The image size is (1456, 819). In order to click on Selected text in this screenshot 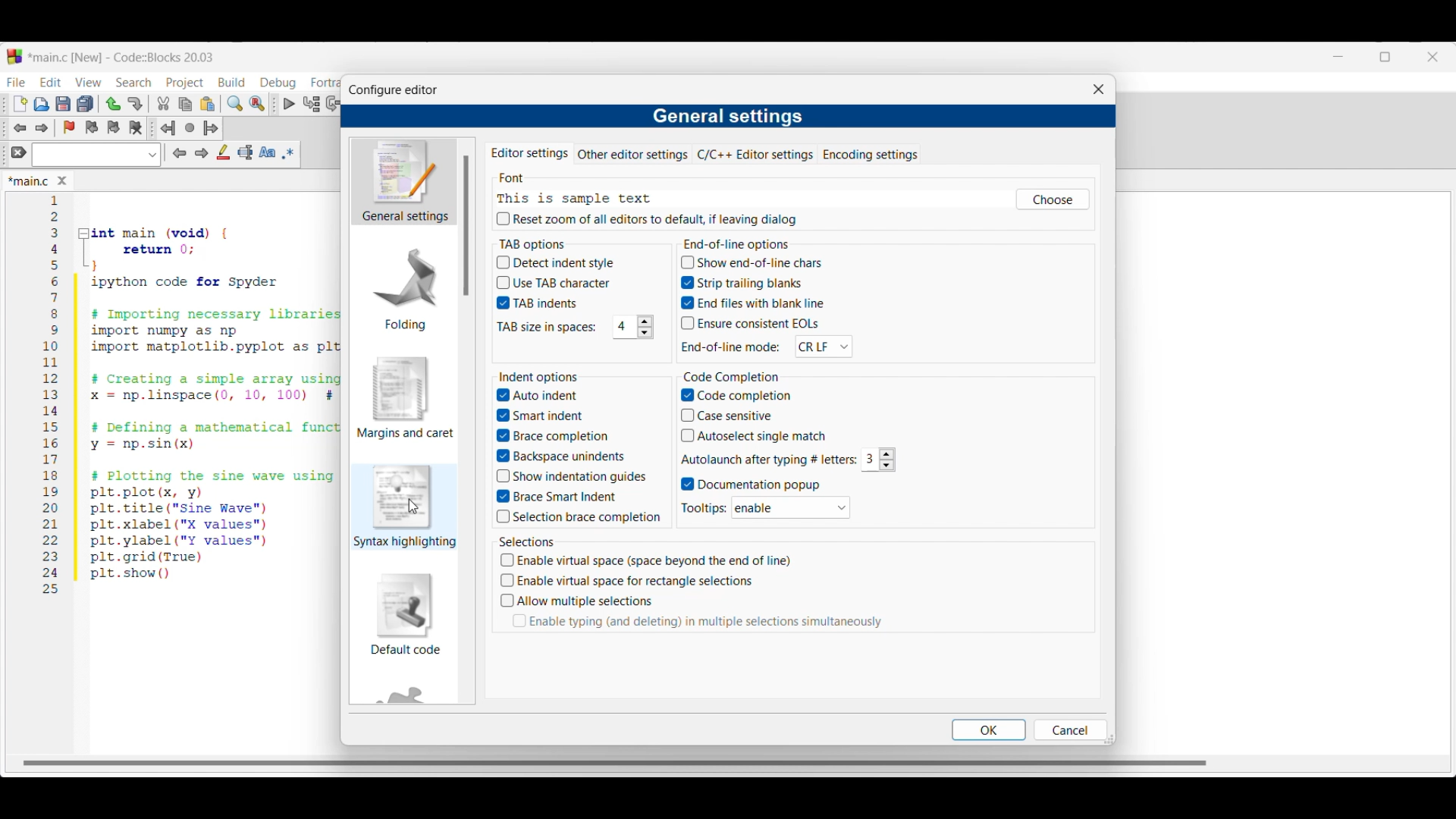, I will do `click(246, 152)`.